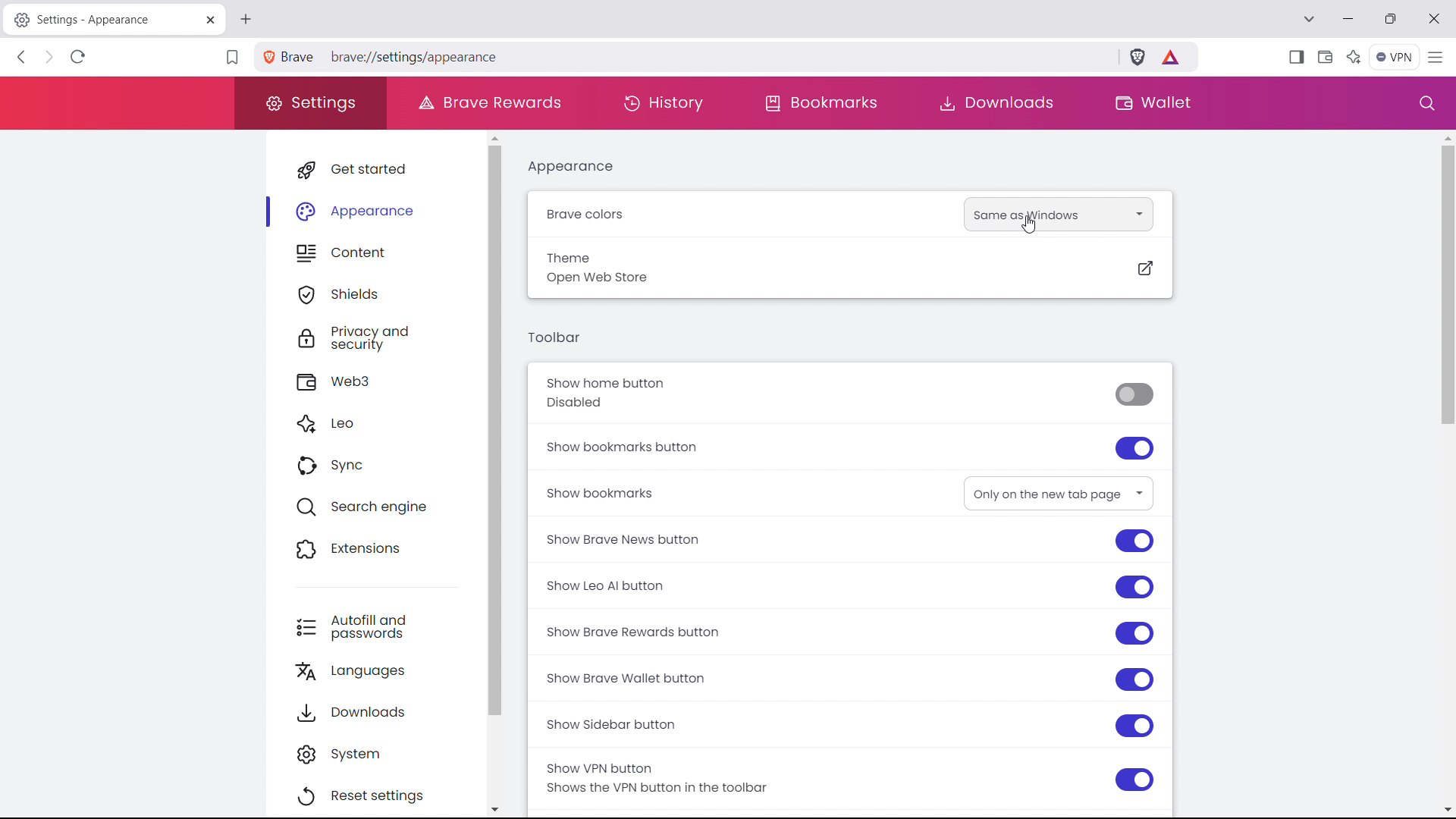 Image resolution: width=1456 pixels, height=819 pixels. Describe the element at coordinates (385, 505) in the screenshot. I see `search engine` at that location.